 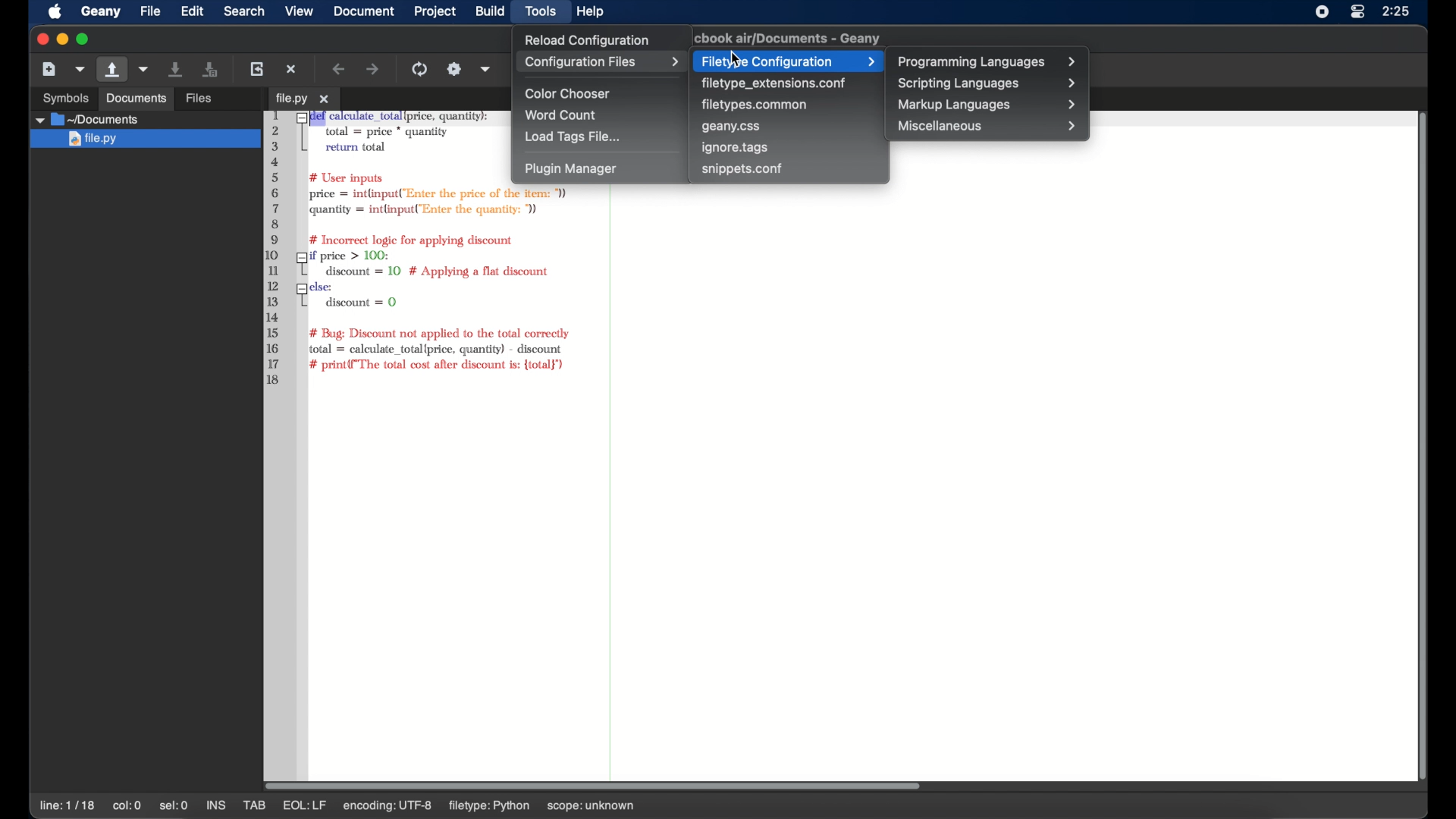 What do you see at coordinates (340, 69) in the screenshot?
I see `navigate backward a location` at bounding box center [340, 69].